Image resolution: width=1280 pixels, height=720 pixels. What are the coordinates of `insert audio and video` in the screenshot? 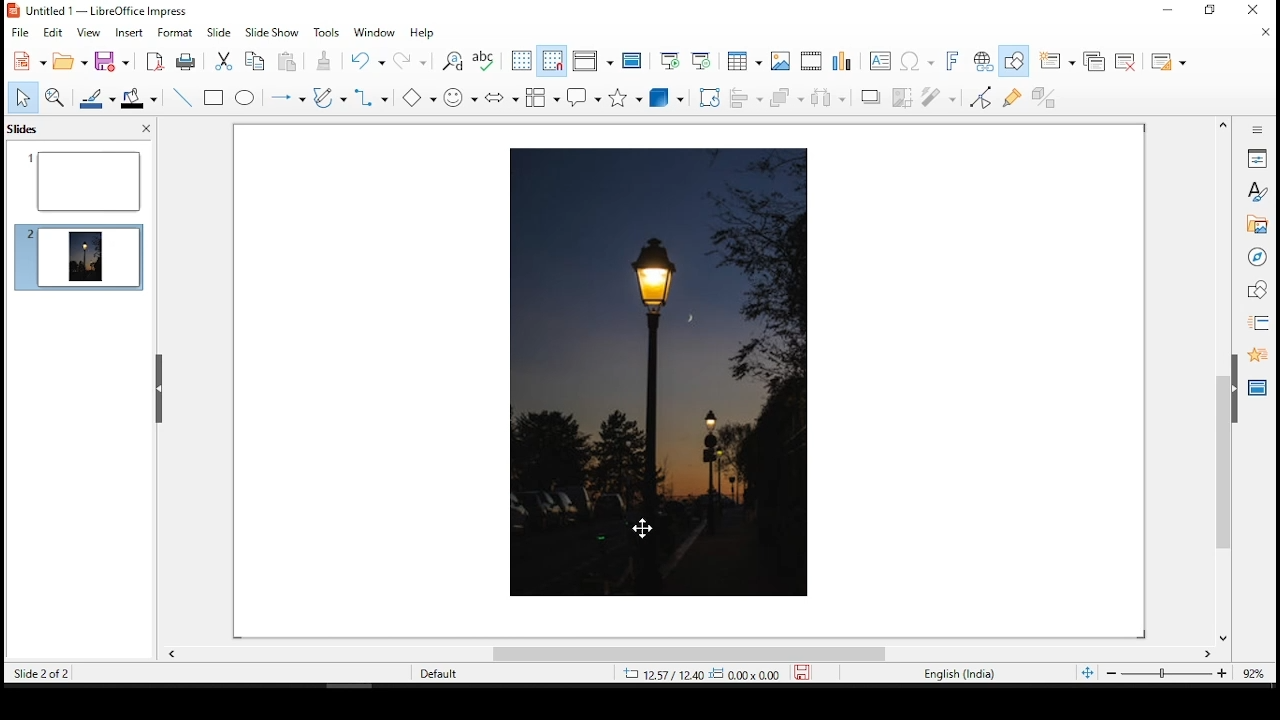 It's located at (811, 60).